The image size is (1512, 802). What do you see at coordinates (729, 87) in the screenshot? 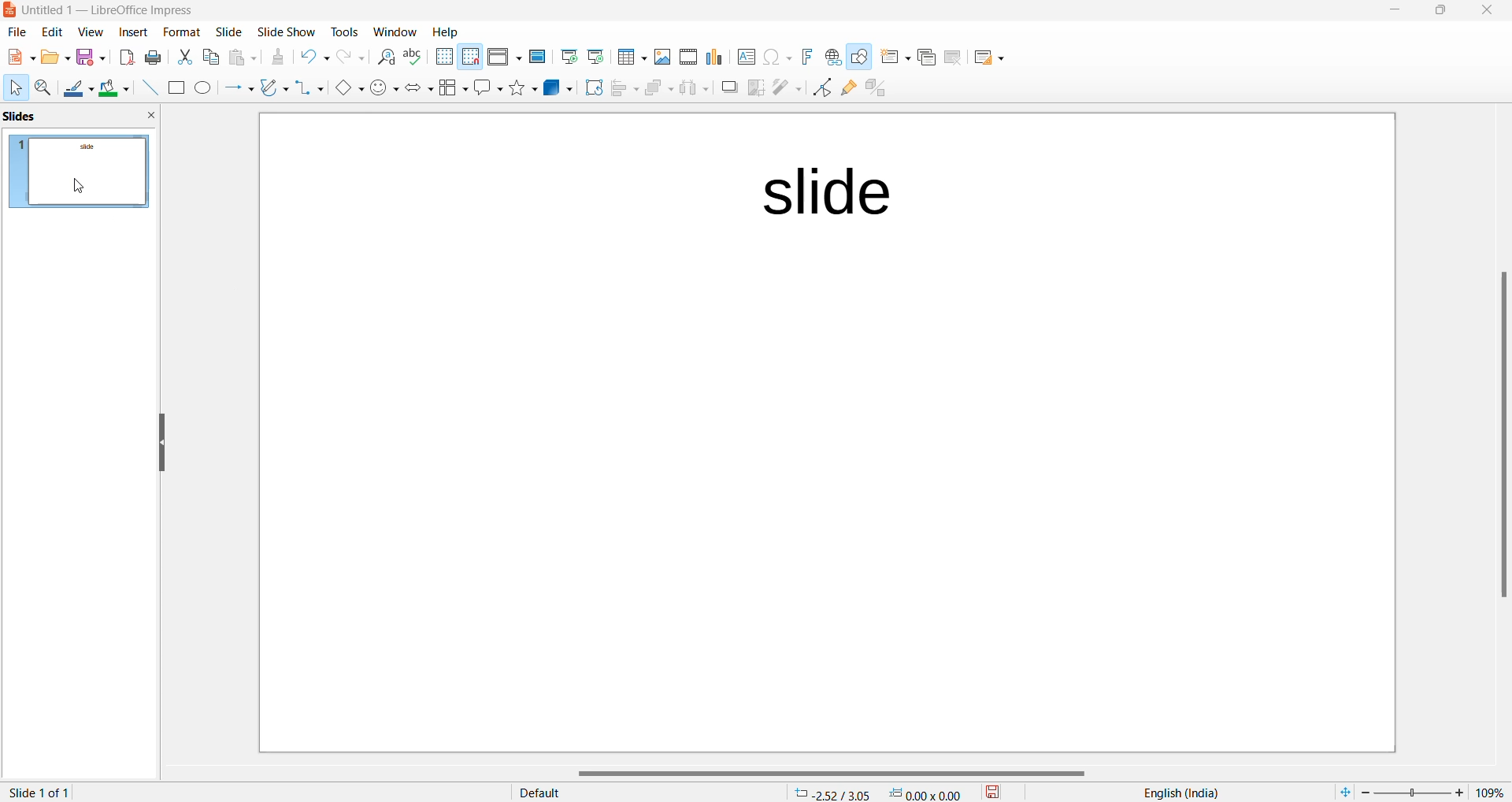
I see `shadow` at bounding box center [729, 87].